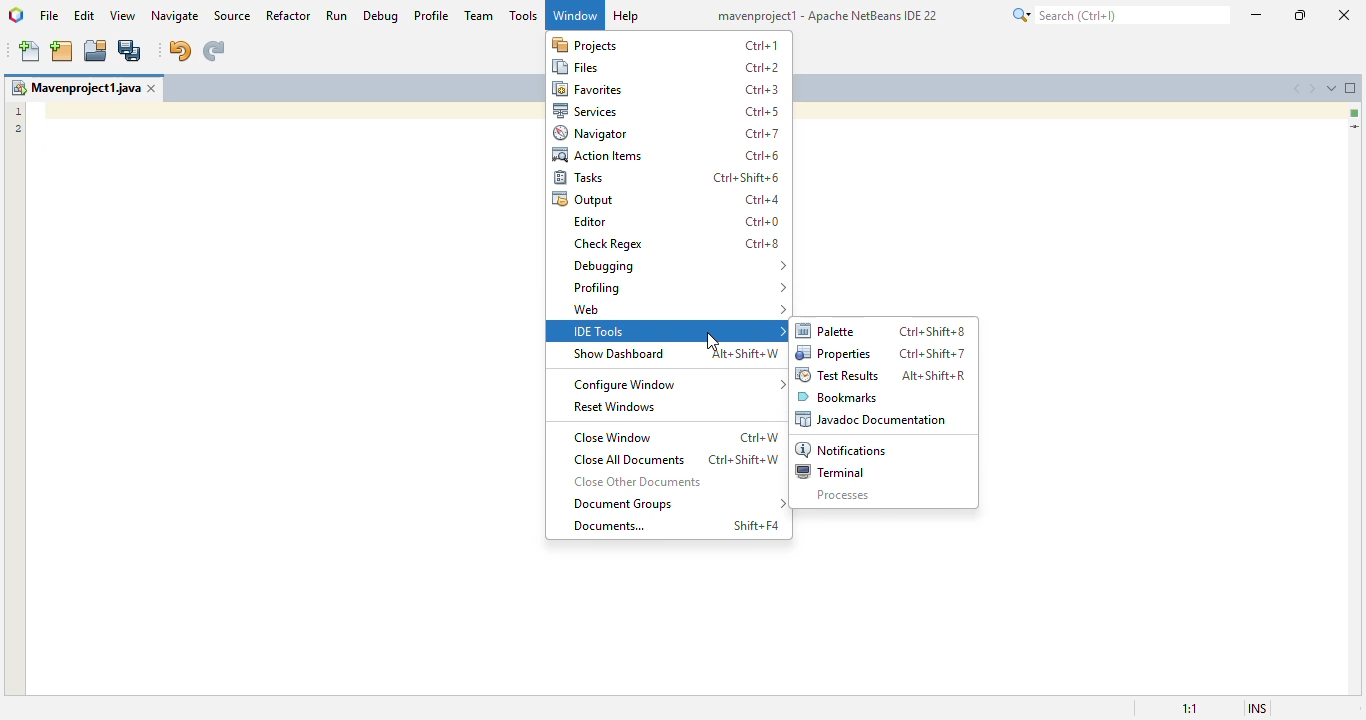 This screenshot has width=1366, height=720. Describe the element at coordinates (96, 50) in the screenshot. I see `open project` at that location.